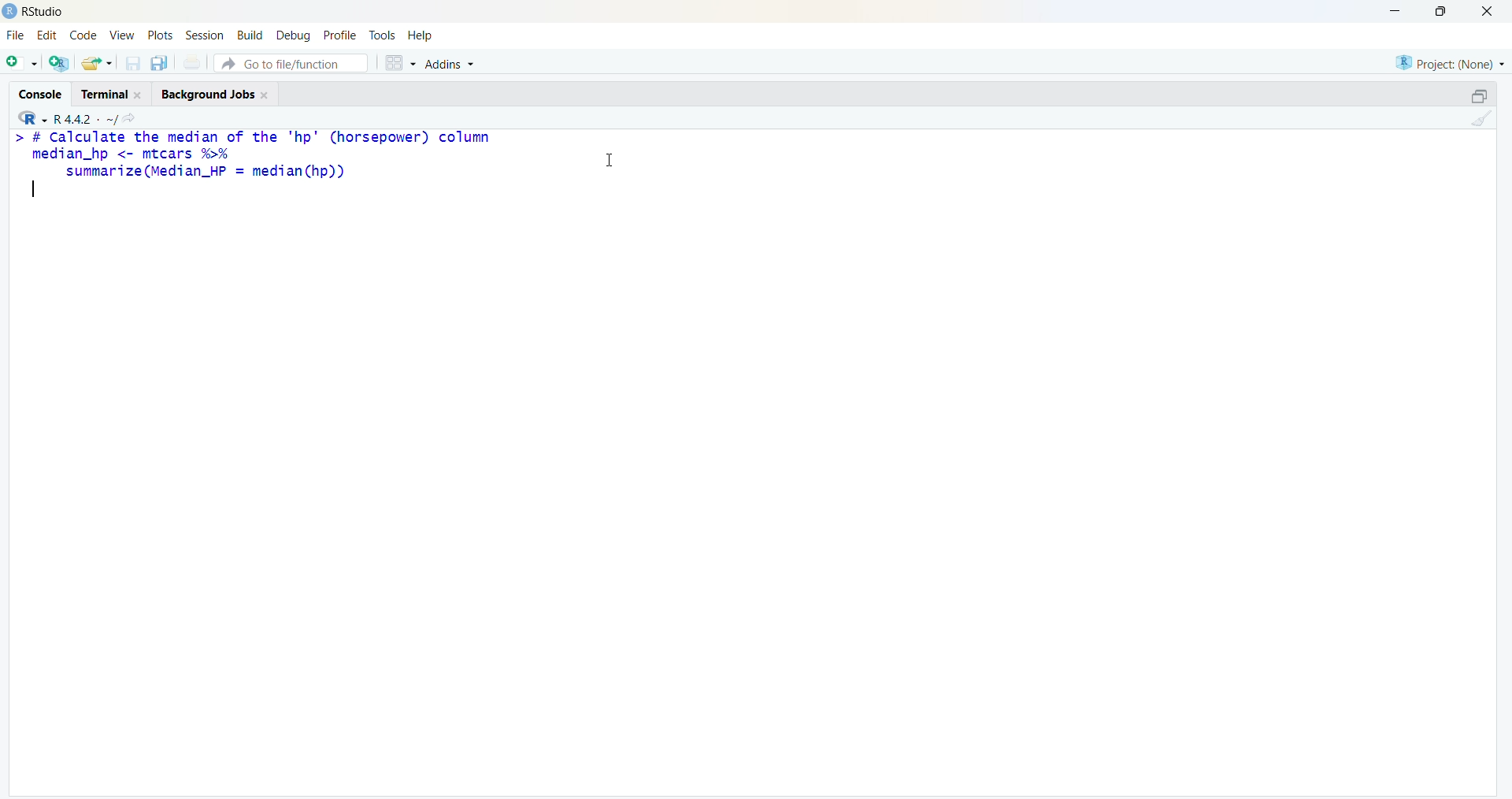 The height and width of the screenshot is (799, 1512). Describe the element at coordinates (293, 37) in the screenshot. I see `debug` at that location.